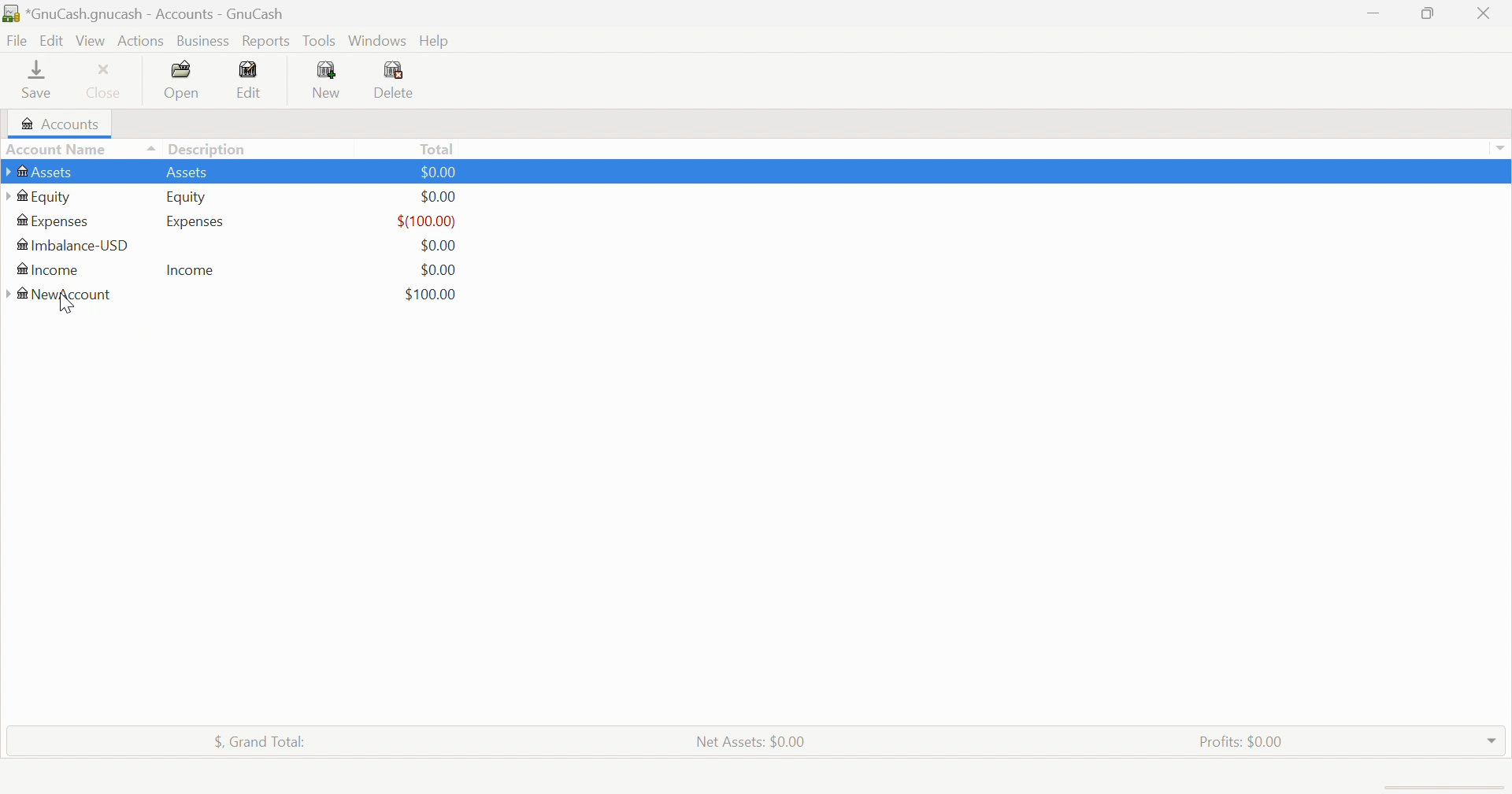 This screenshot has height=794, width=1512. What do you see at coordinates (179, 82) in the screenshot?
I see `Open` at bounding box center [179, 82].